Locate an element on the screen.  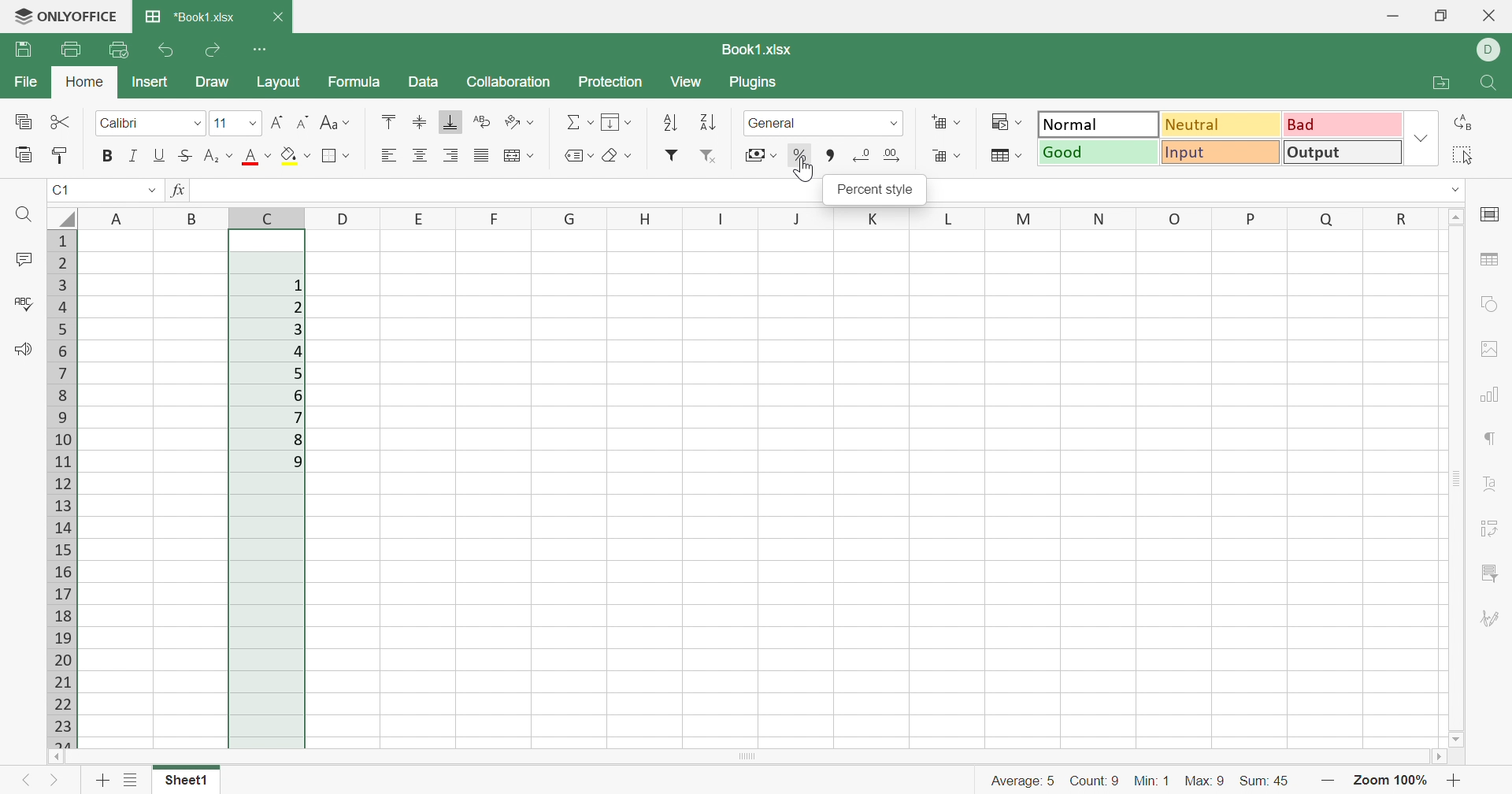
Check Spelling is located at coordinates (23, 305).